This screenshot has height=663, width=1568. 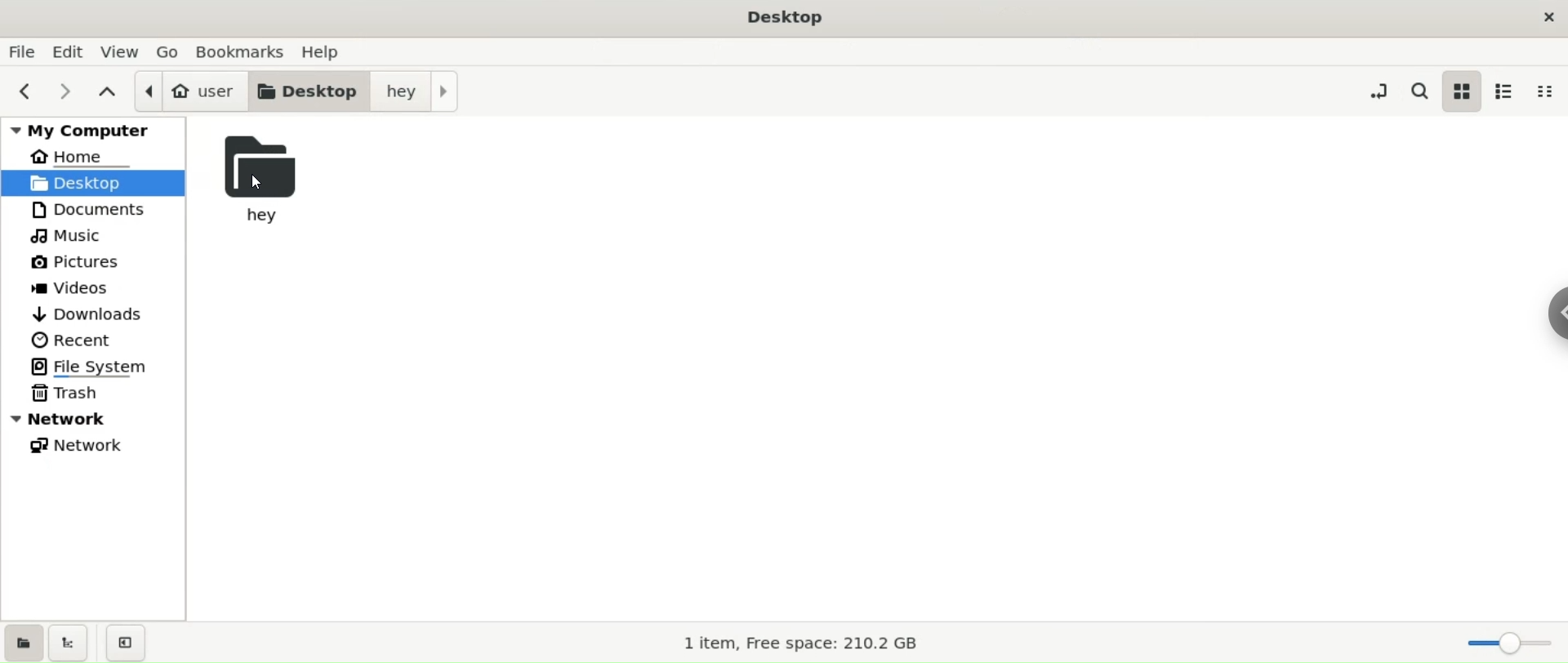 What do you see at coordinates (1462, 91) in the screenshot?
I see `icon view` at bounding box center [1462, 91].